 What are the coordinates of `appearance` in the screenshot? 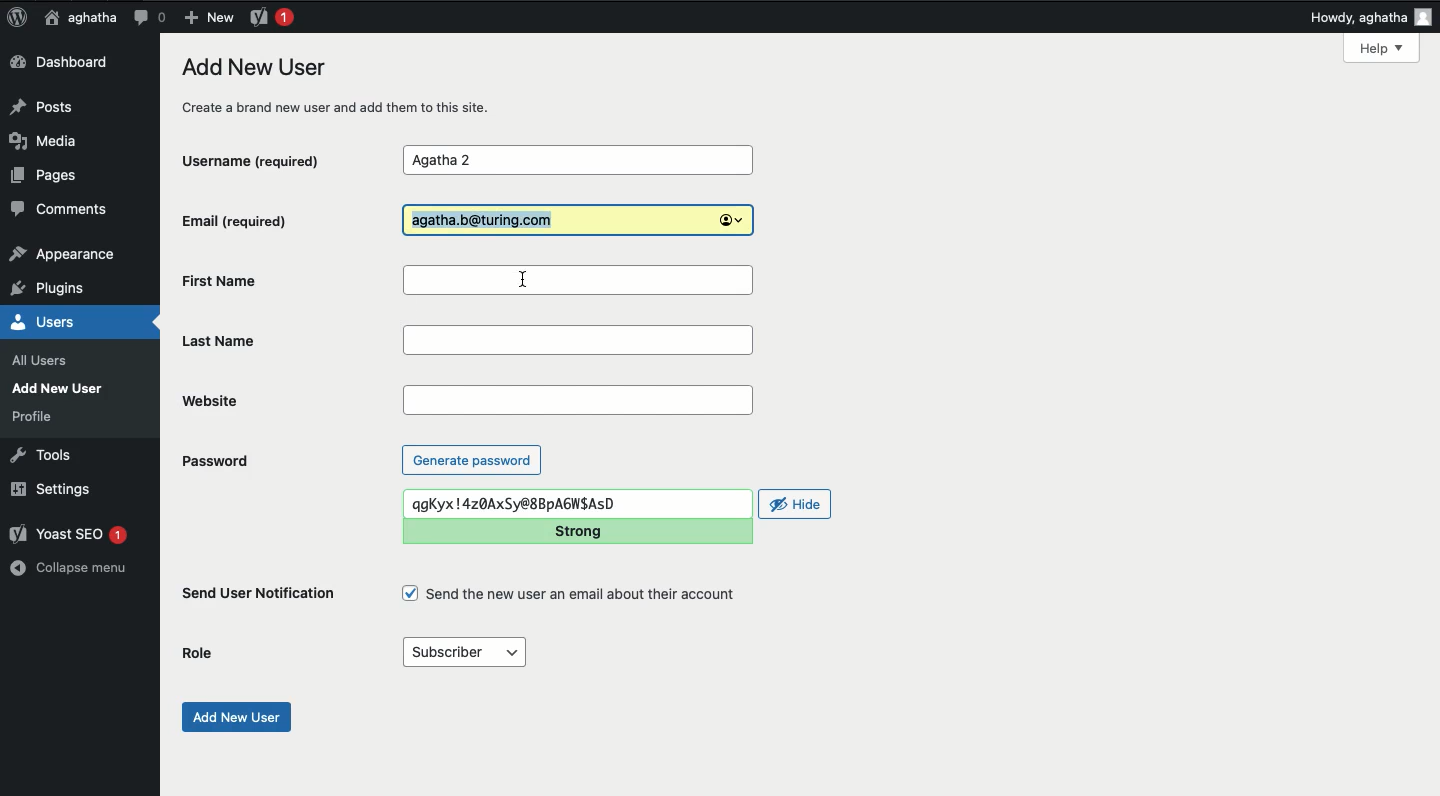 It's located at (63, 256).